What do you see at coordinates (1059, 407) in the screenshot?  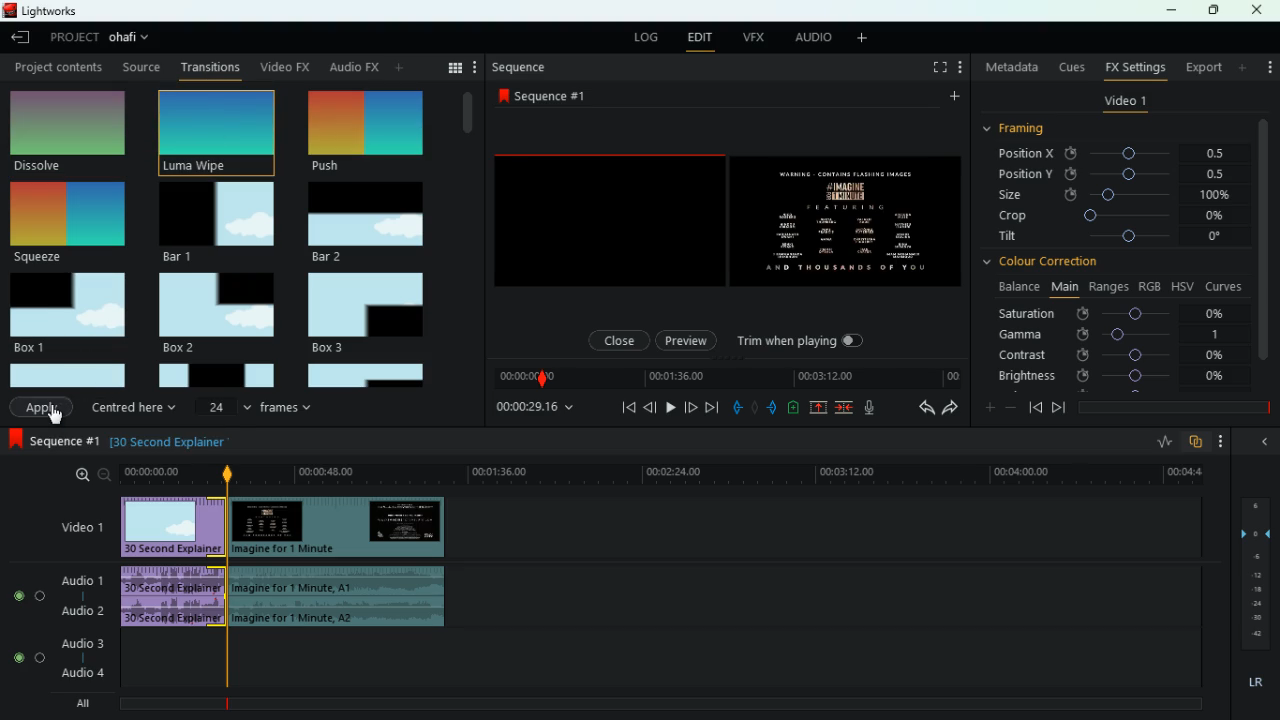 I see `front` at bounding box center [1059, 407].